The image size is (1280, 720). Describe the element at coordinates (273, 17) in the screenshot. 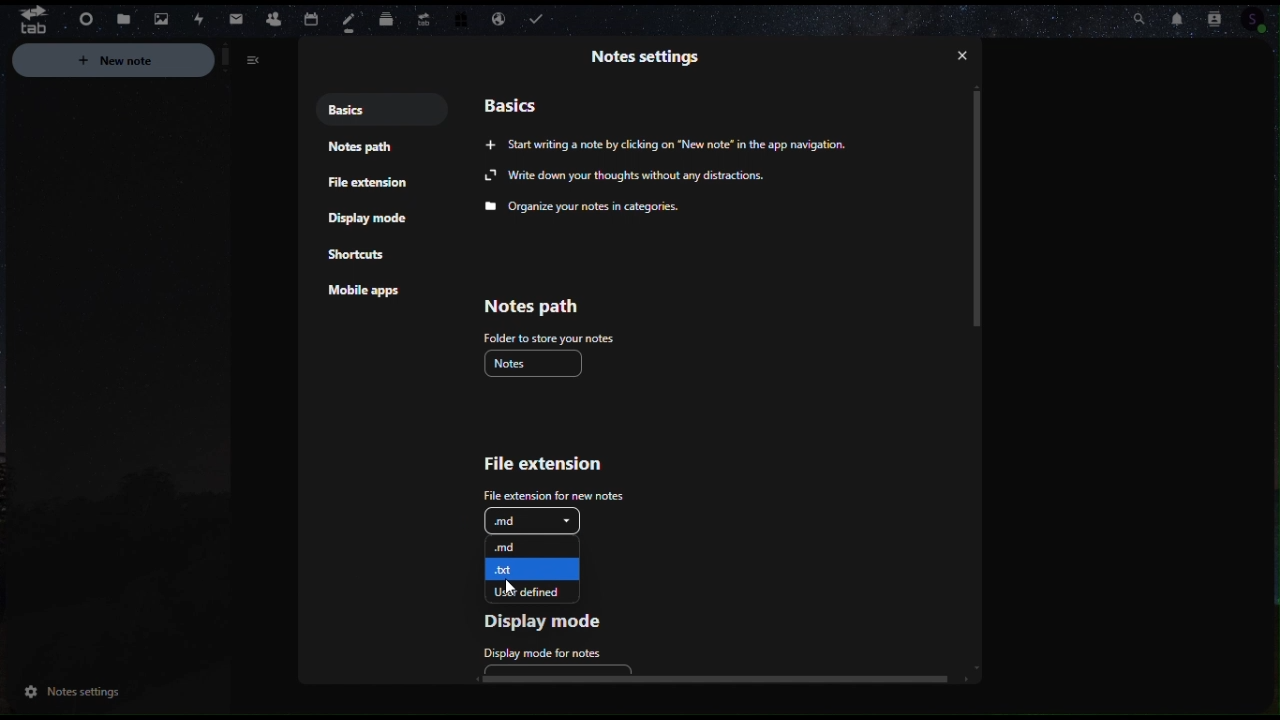

I see `Contacts` at that location.